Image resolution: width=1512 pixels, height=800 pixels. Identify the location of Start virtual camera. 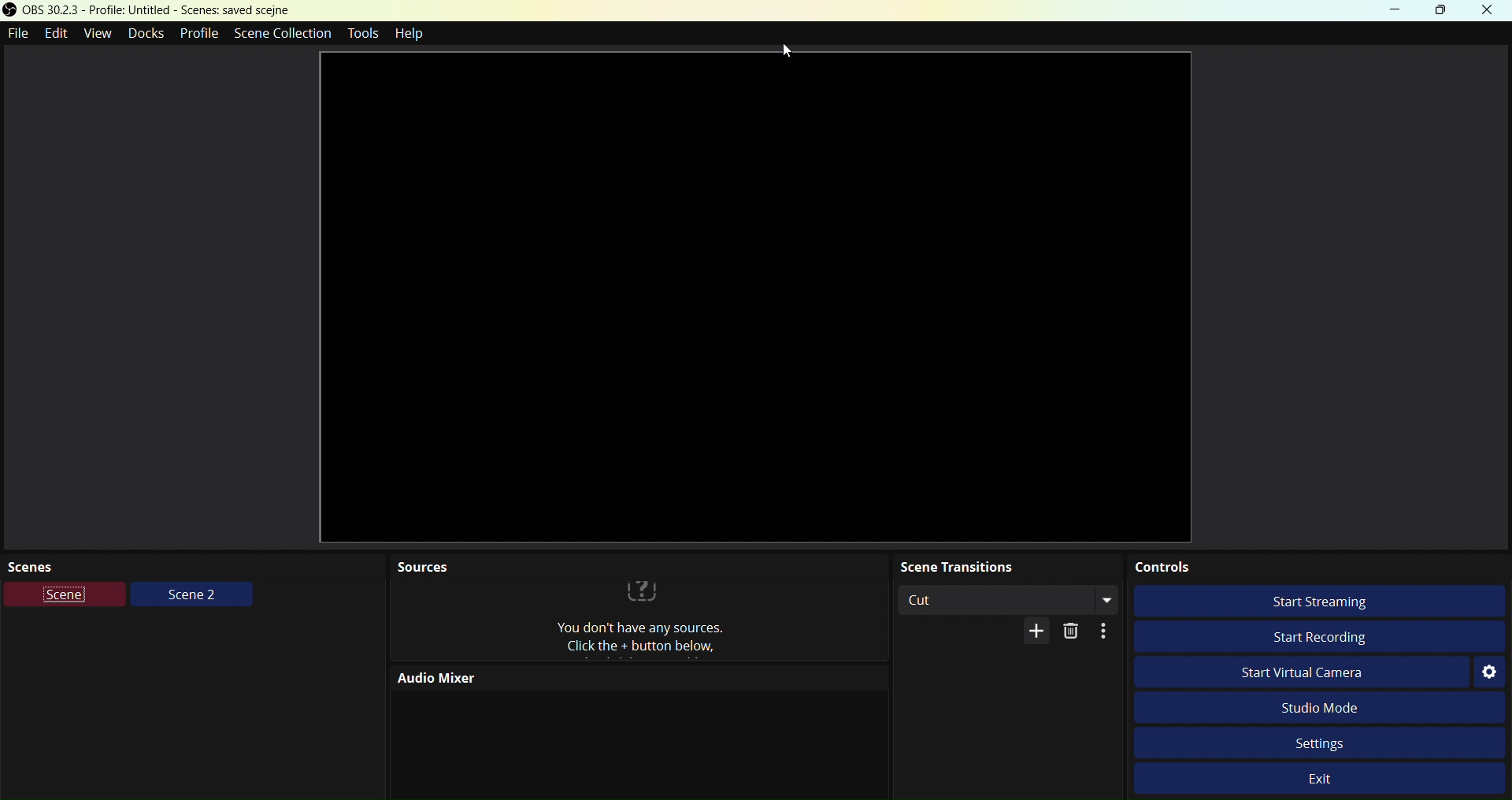
(1303, 672).